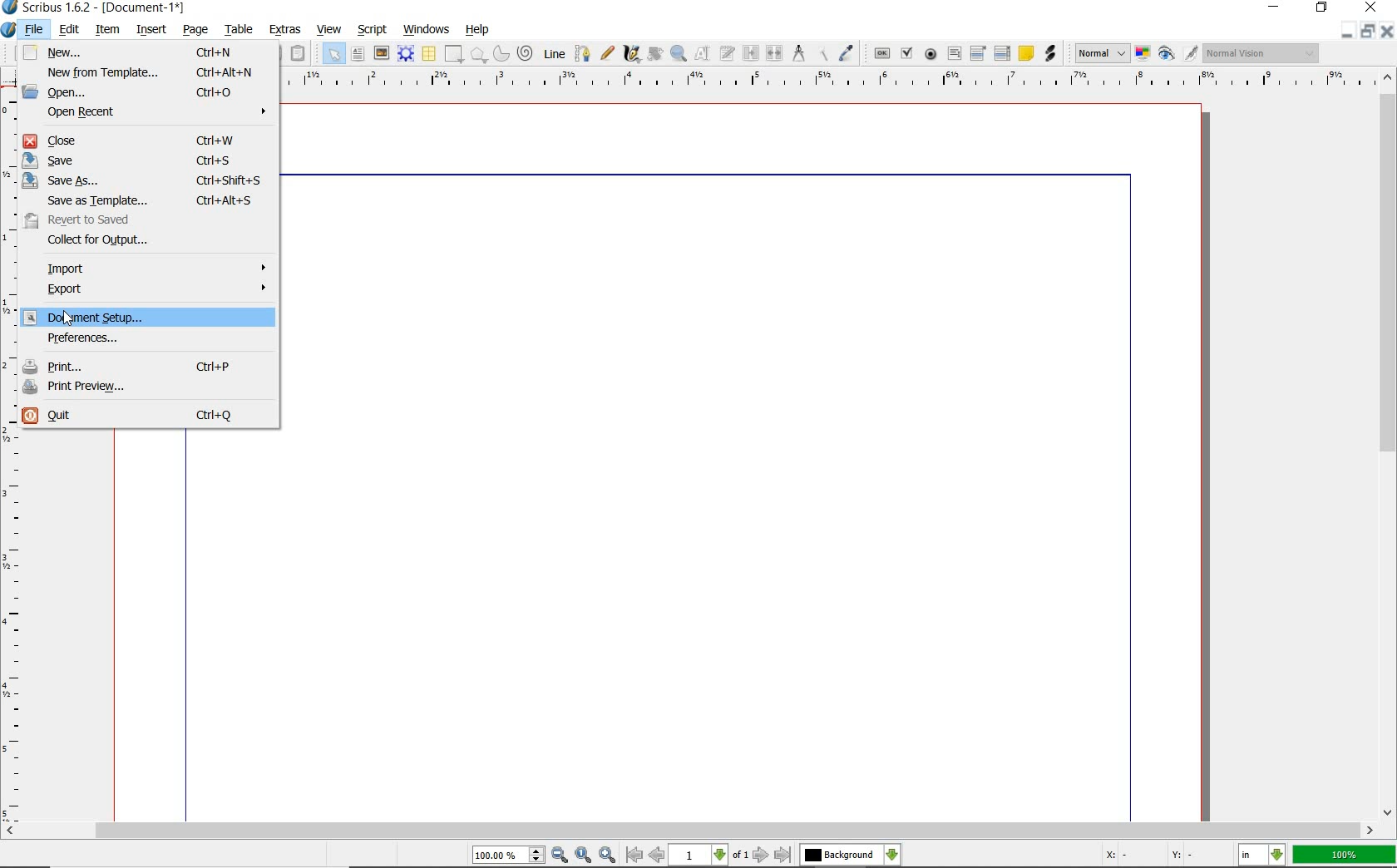  Describe the element at coordinates (527, 52) in the screenshot. I see `spiral` at that location.